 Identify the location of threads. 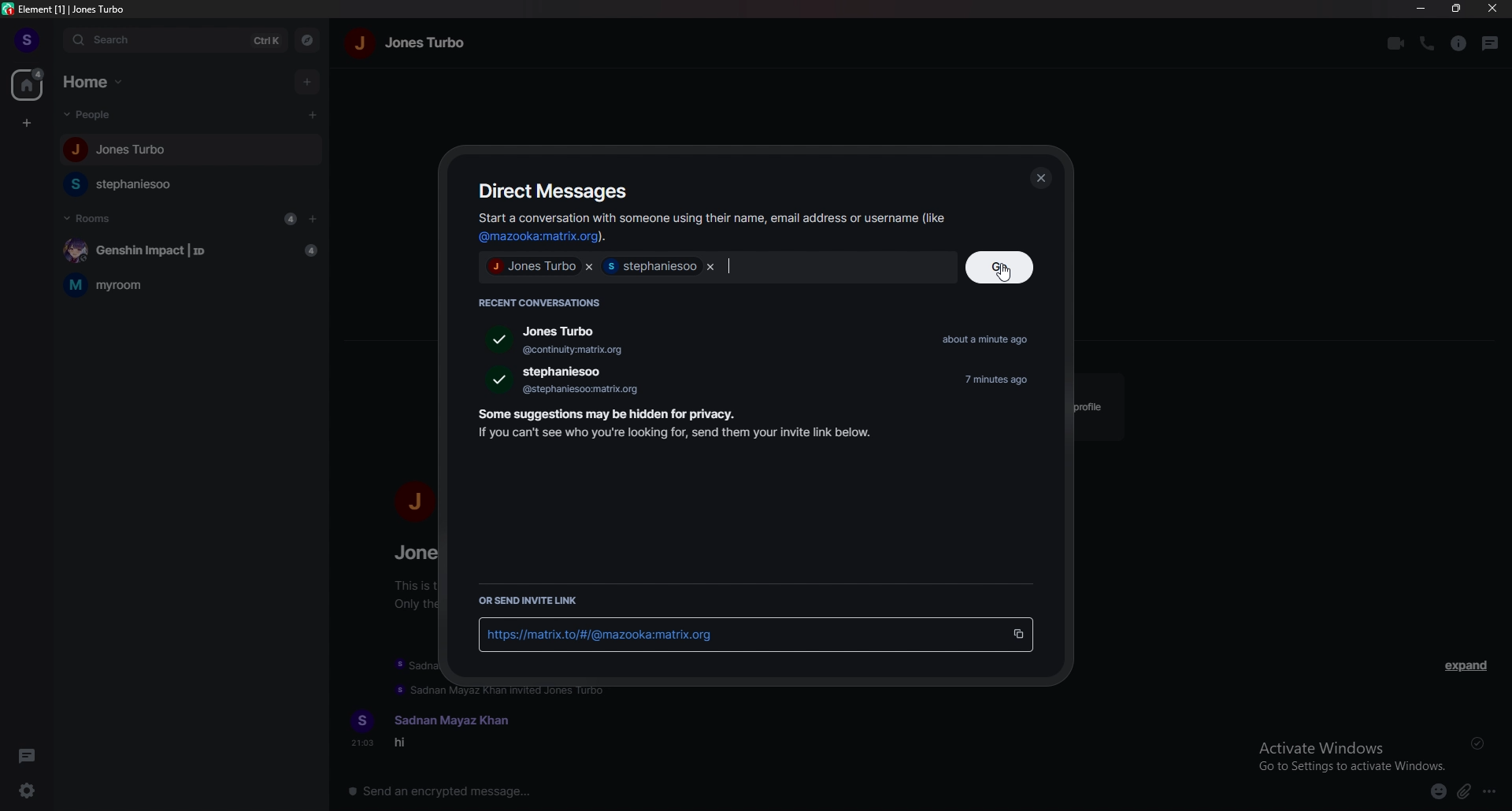
(29, 754).